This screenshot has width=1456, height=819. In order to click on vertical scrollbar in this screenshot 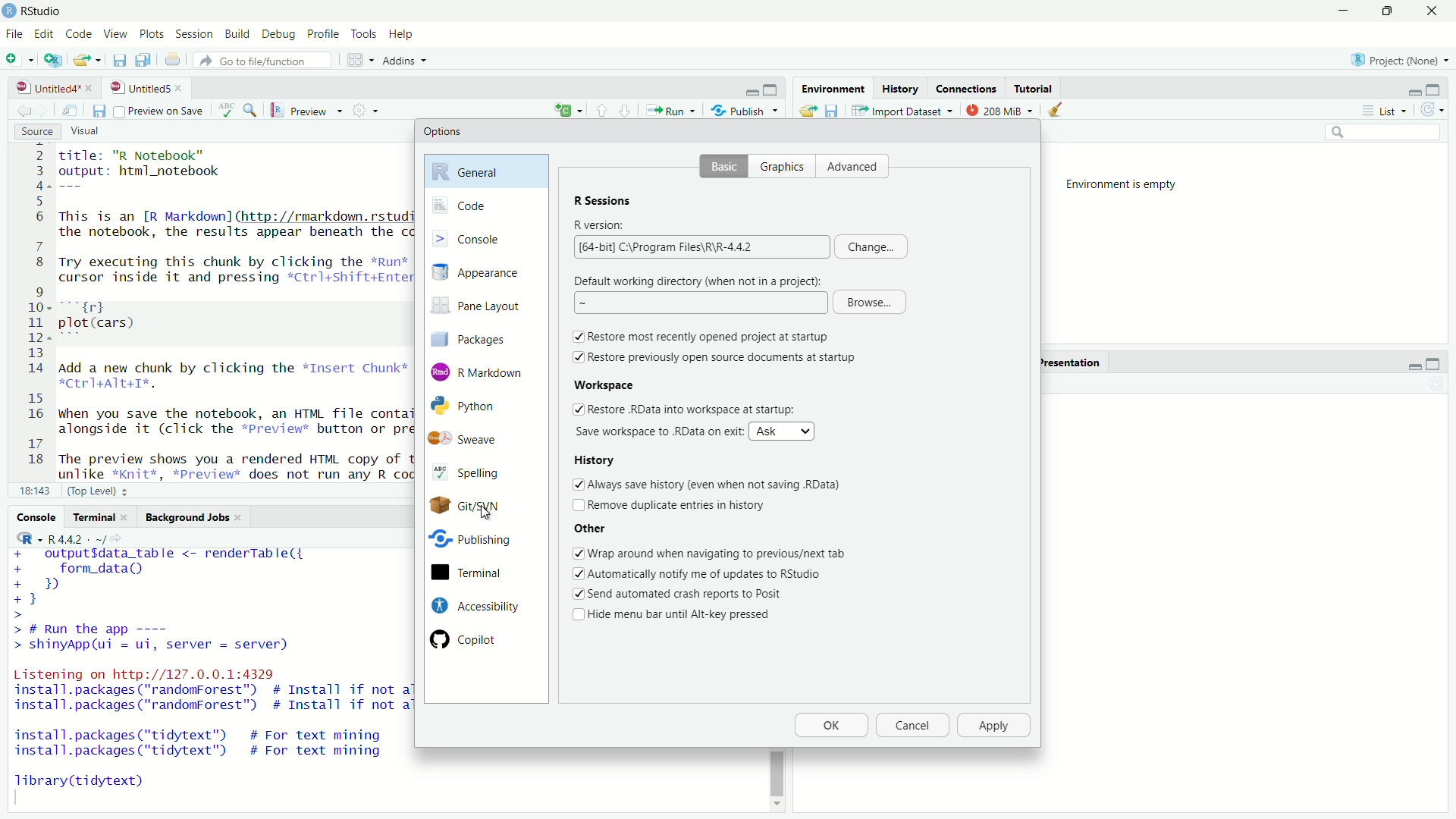, I will do `click(777, 773)`.